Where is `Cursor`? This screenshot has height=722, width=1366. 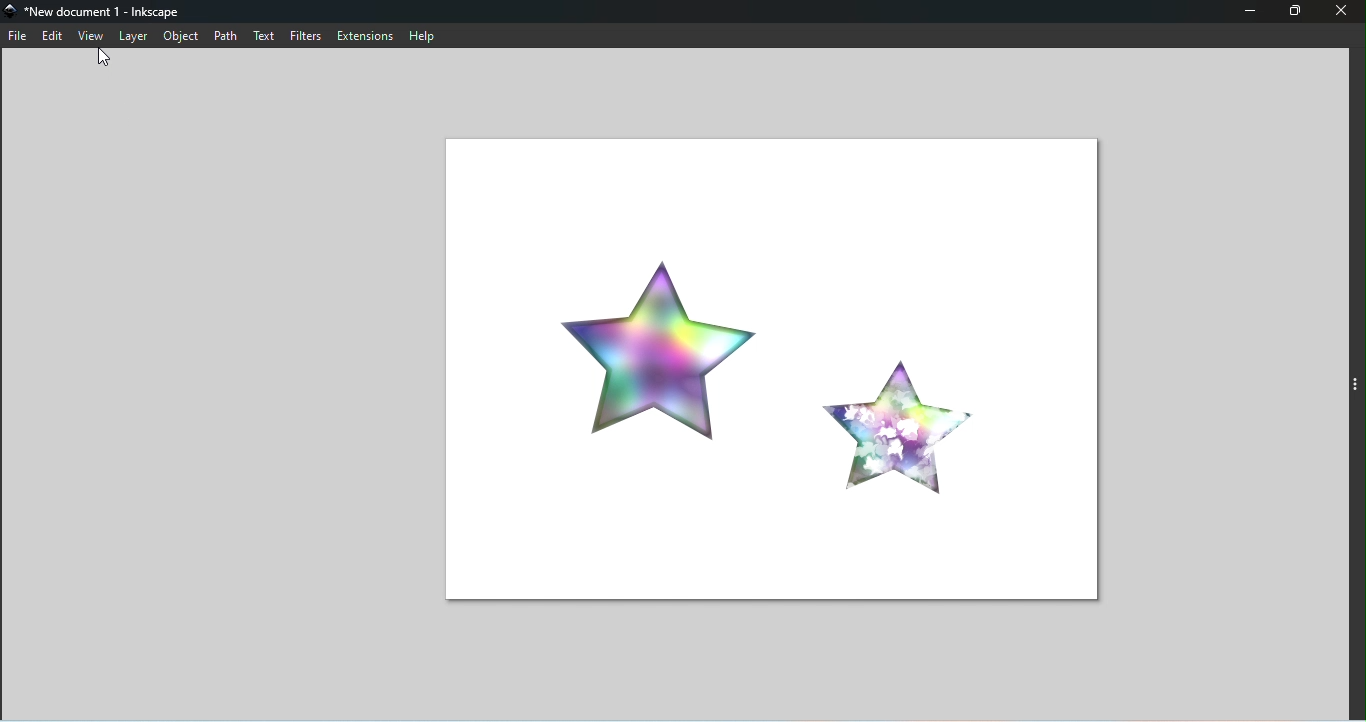
Cursor is located at coordinates (104, 59).